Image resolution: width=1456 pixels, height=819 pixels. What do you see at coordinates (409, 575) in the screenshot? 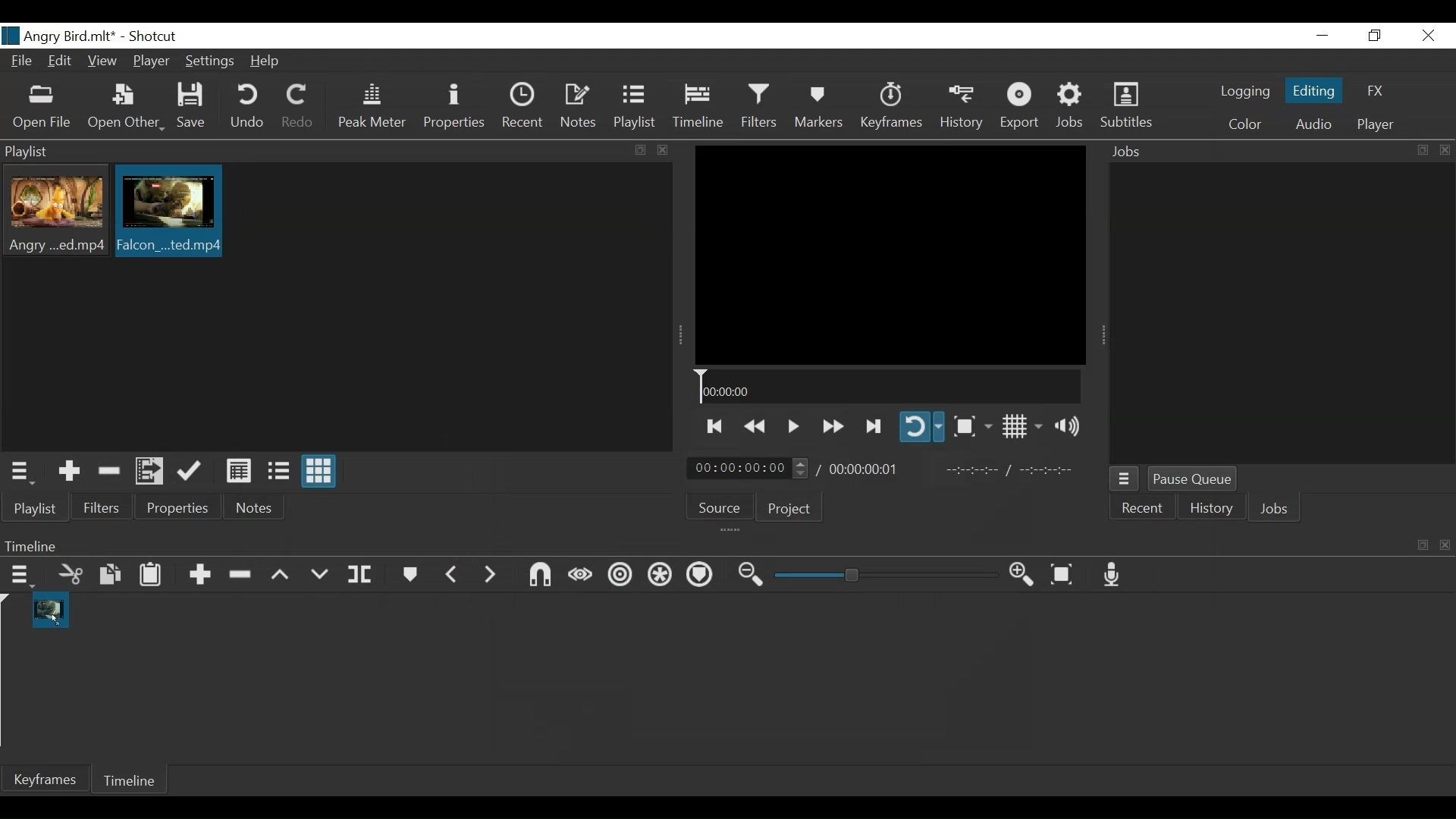
I see `Markers` at bounding box center [409, 575].